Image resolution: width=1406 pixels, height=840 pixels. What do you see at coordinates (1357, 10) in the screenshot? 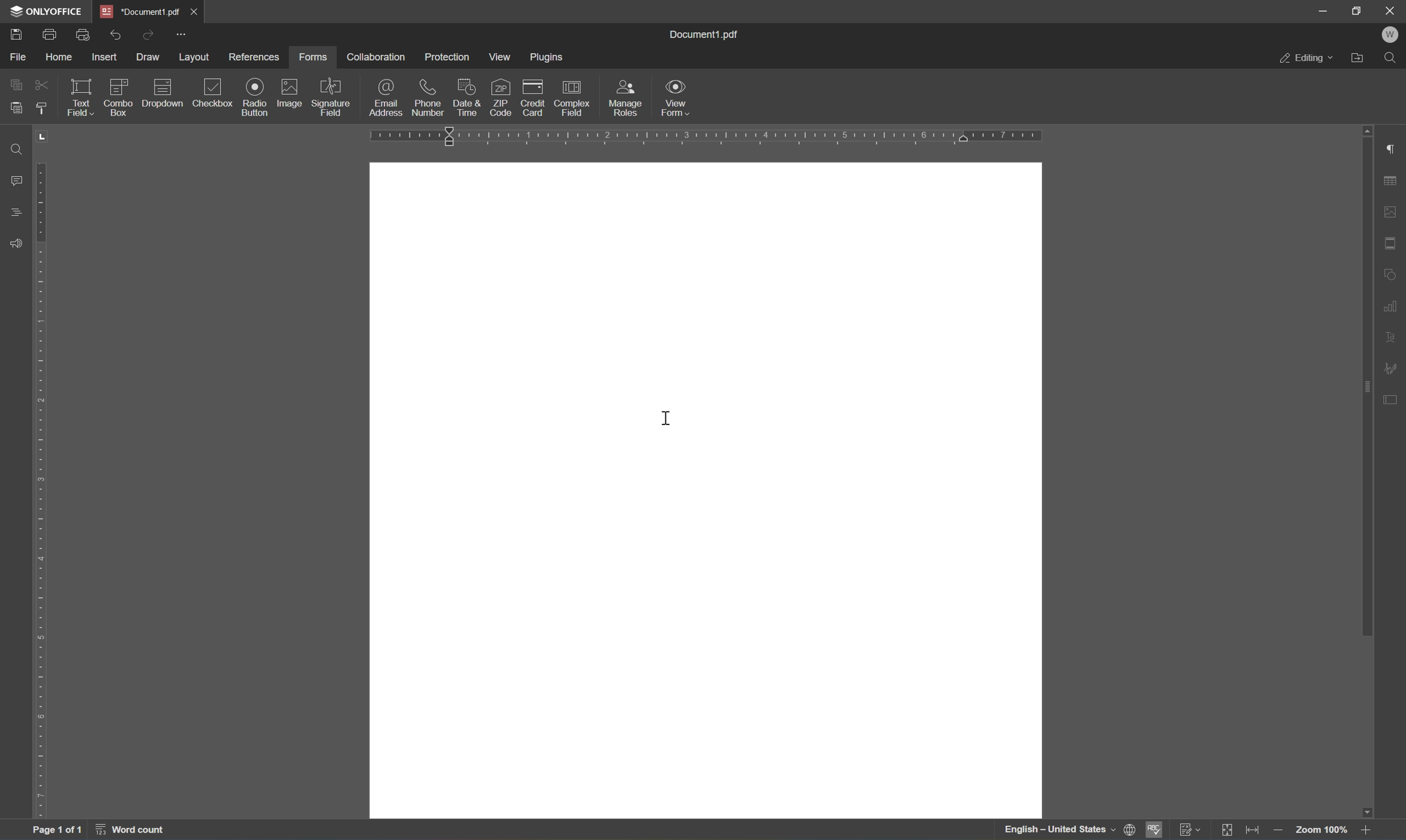
I see `restore down` at bounding box center [1357, 10].